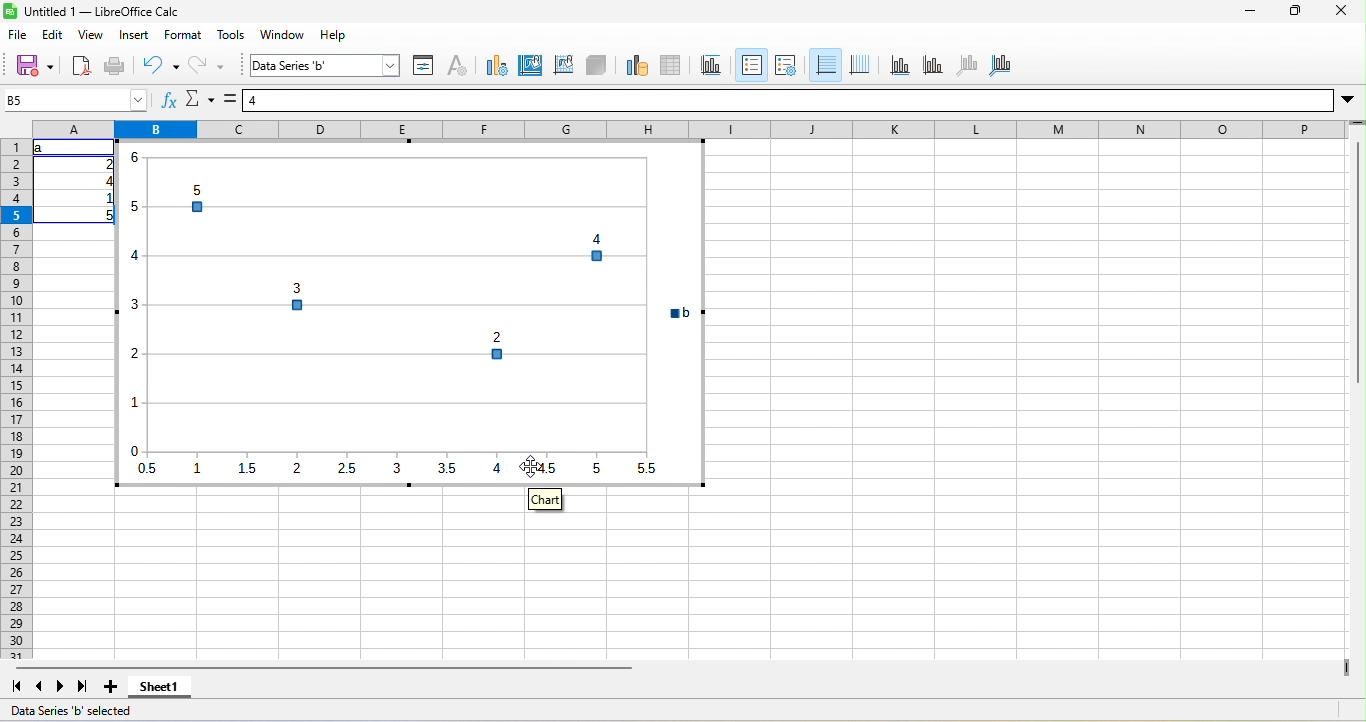 The image size is (1366, 722). What do you see at coordinates (333, 35) in the screenshot?
I see `help` at bounding box center [333, 35].